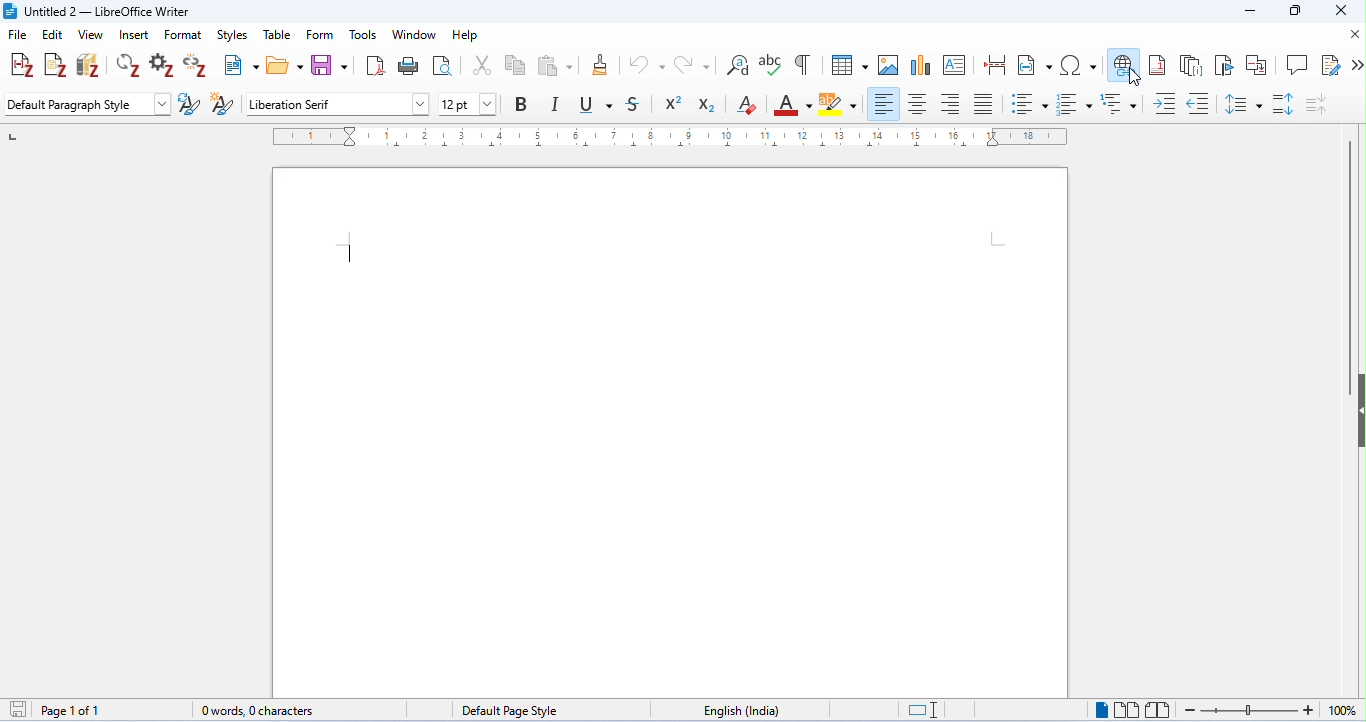 Image resolution: width=1366 pixels, height=722 pixels. What do you see at coordinates (21, 710) in the screenshot?
I see `save` at bounding box center [21, 710].